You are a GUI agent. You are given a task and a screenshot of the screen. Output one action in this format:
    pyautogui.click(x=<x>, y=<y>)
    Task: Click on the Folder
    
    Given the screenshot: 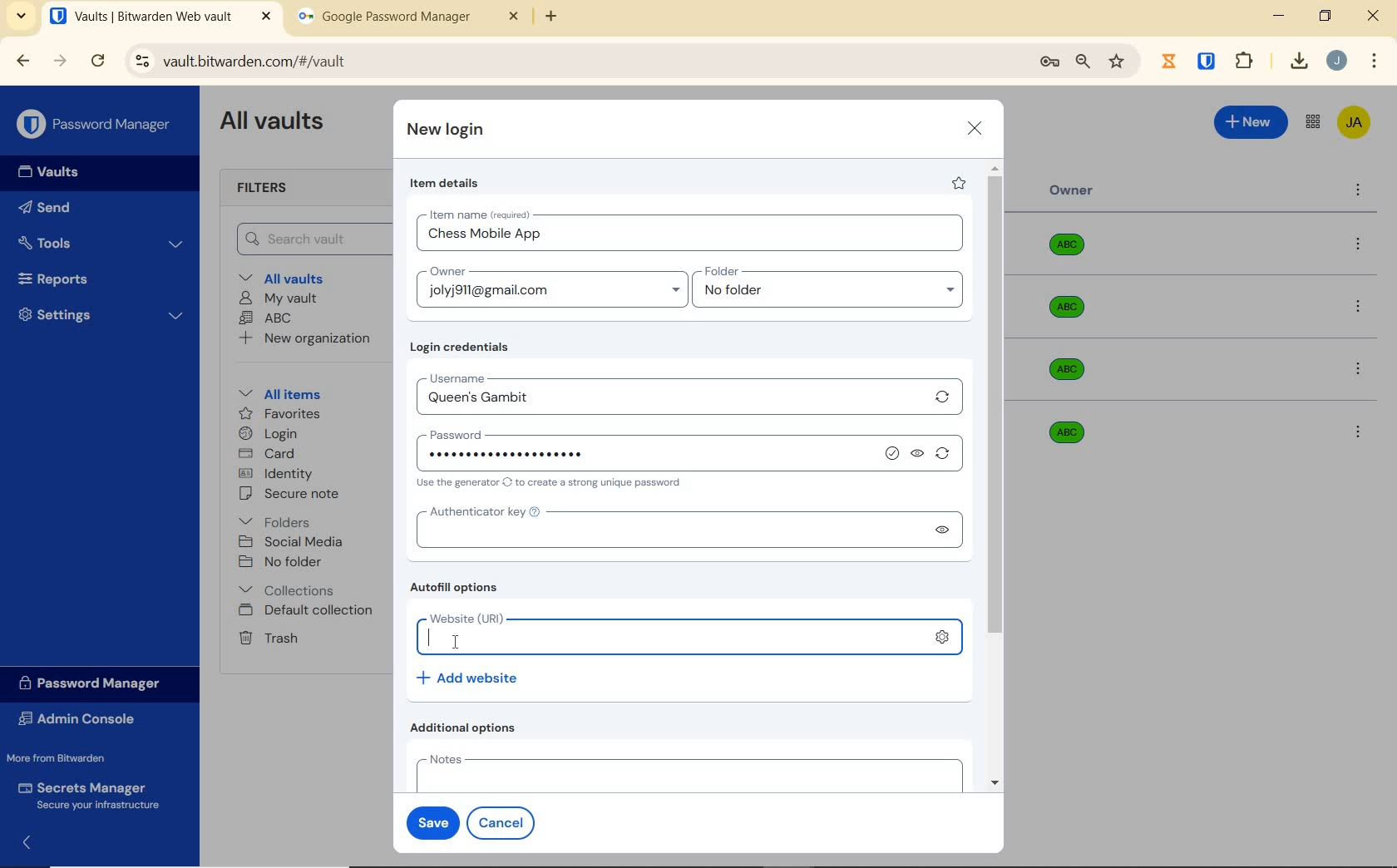 What is the action you would take?
    pyautogui.click(x=822, y=272)
    